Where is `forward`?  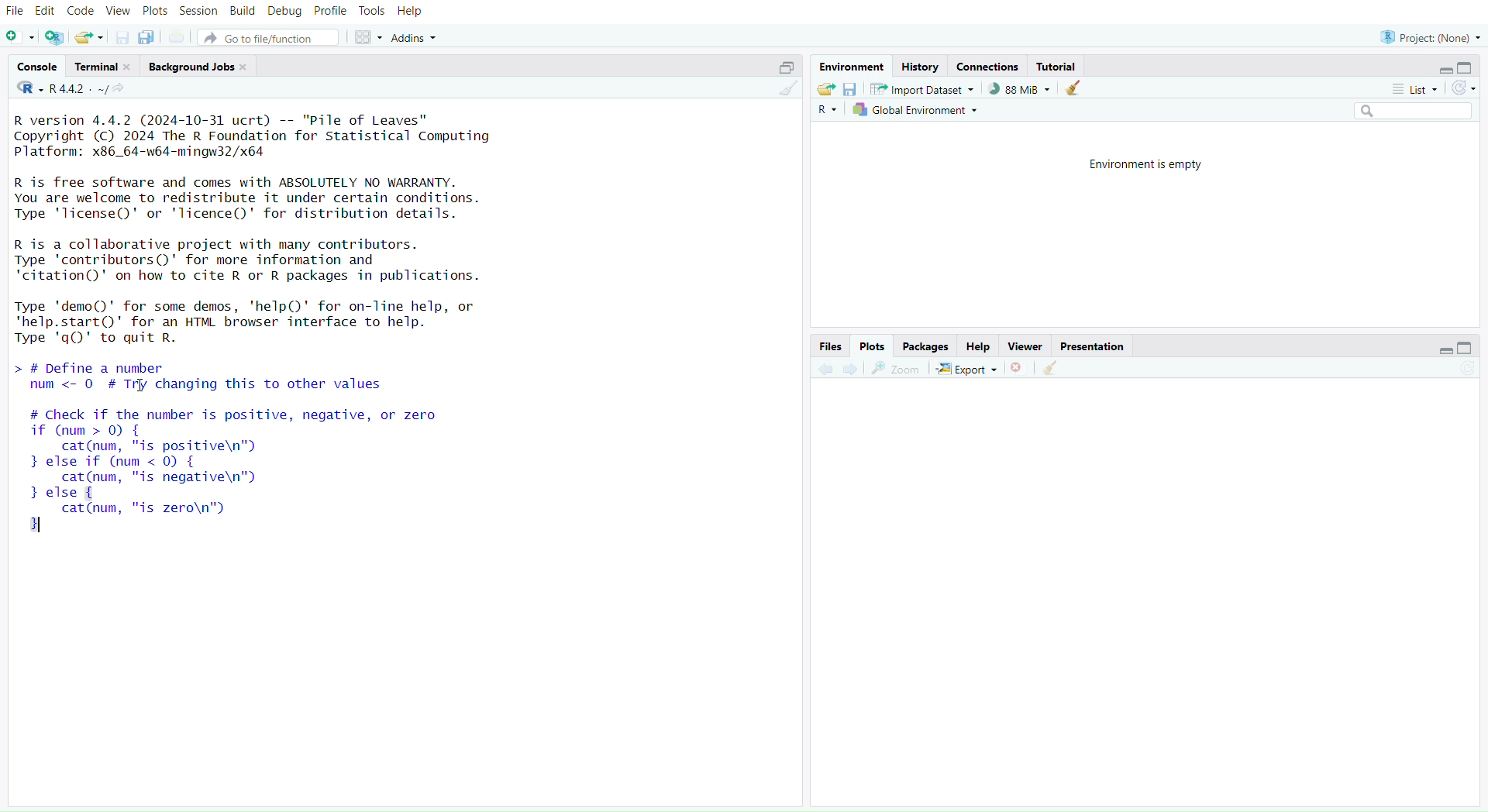 forward is located at coordinates (852, 370).